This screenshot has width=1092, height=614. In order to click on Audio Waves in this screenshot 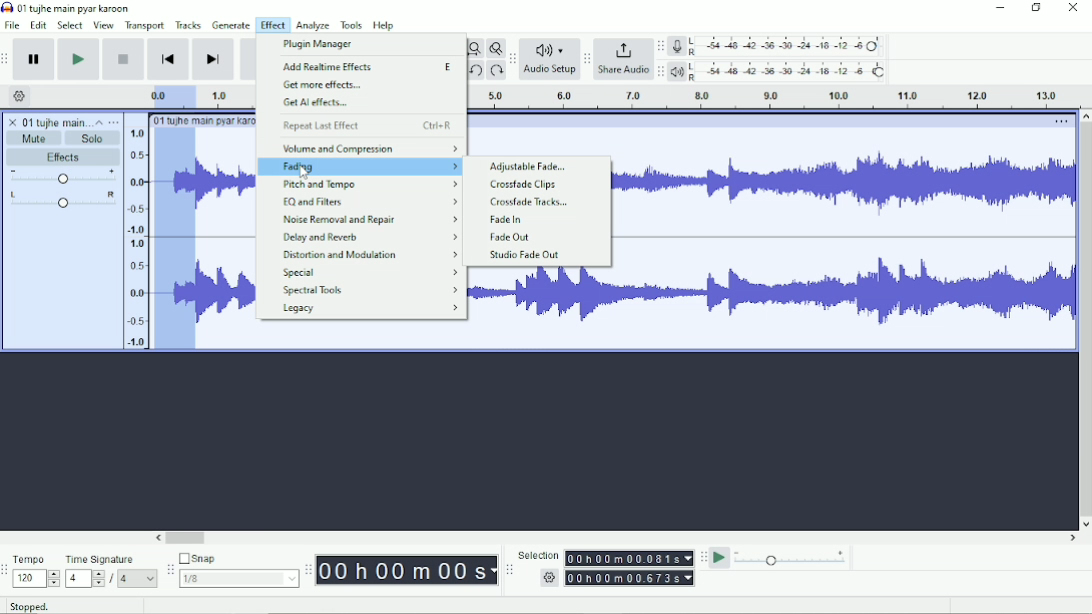, I will do `click(226, 293)`.